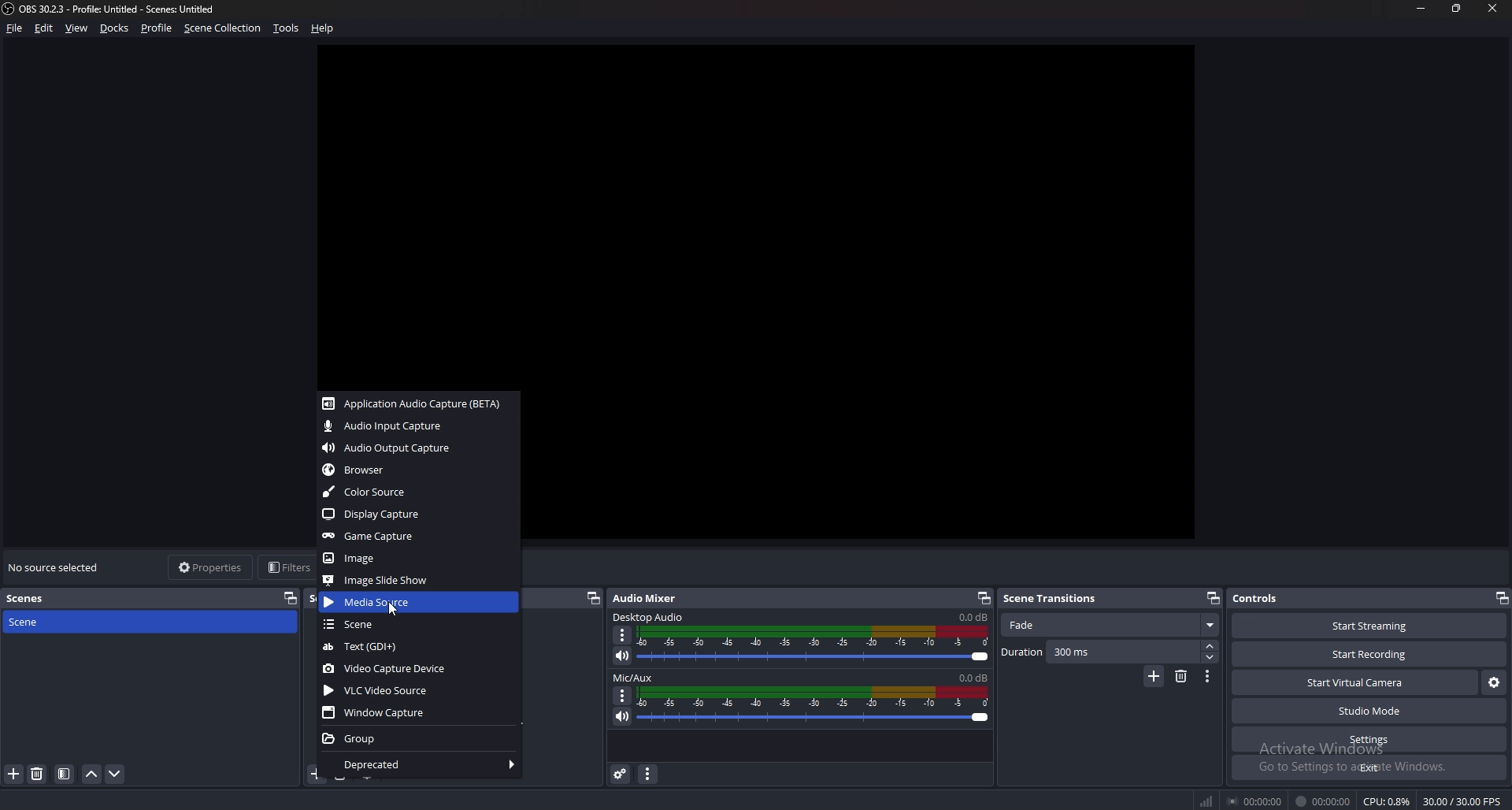 This screenshot has height=810, width=1512. Describe the element at coordinates (57, 567) in the screenshot. I see `No source selected` at that location.